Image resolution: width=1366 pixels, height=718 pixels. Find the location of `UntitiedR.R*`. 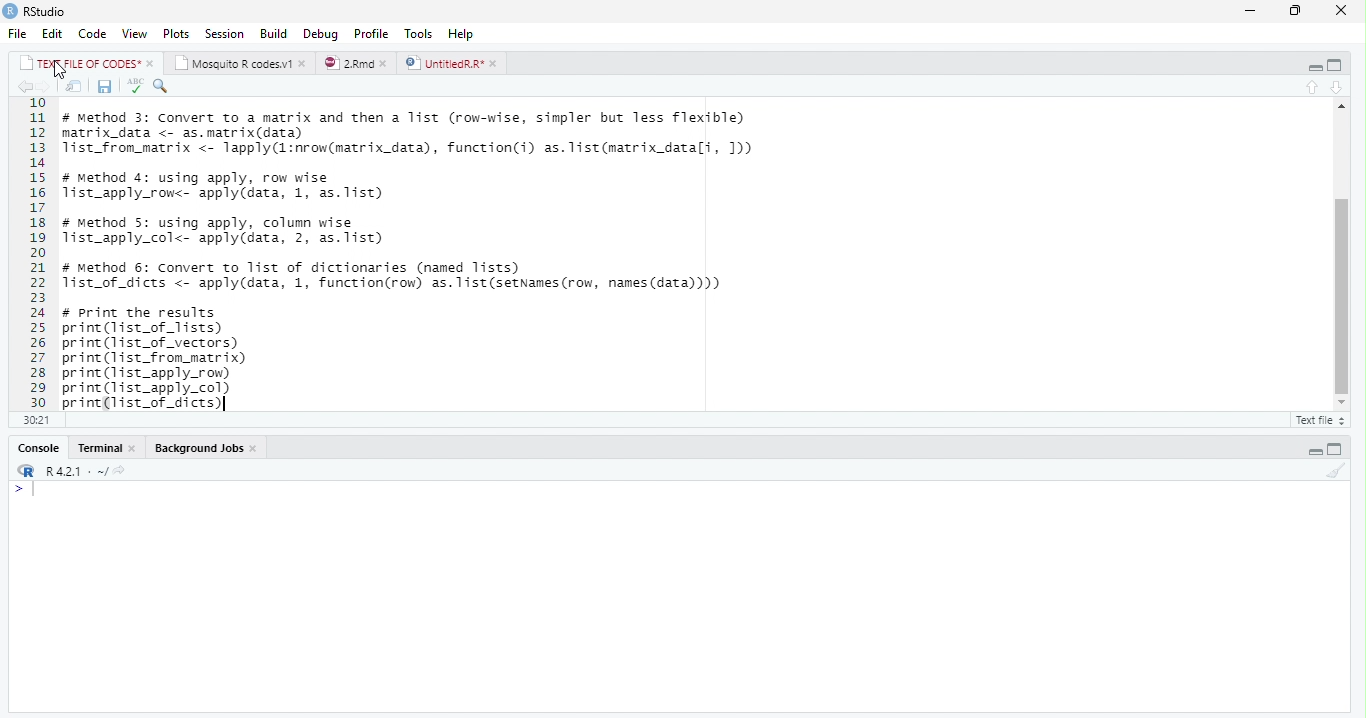

UntitiedR.R* is located at coordinates (454, 63).